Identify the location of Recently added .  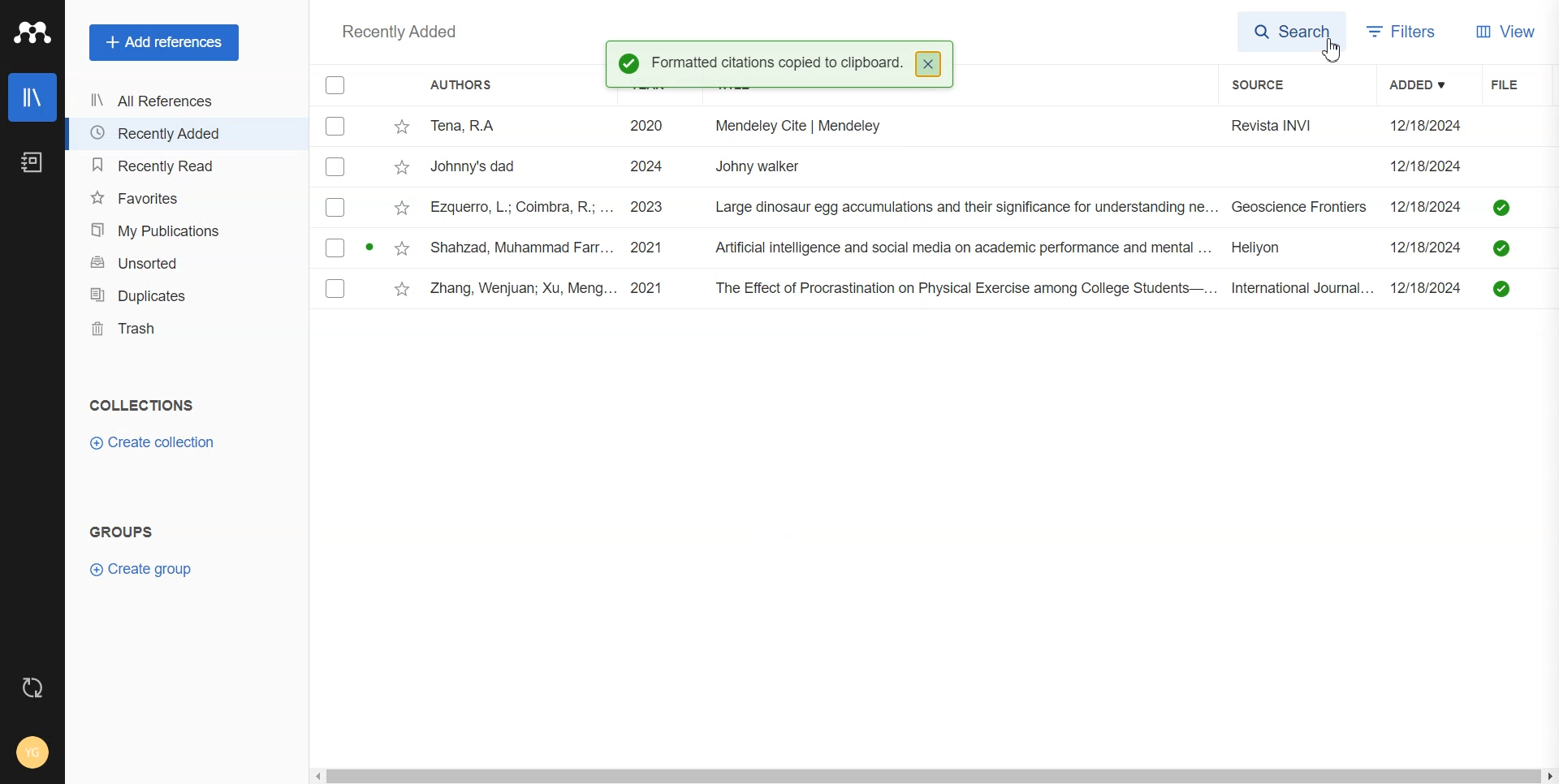
(401, 33).